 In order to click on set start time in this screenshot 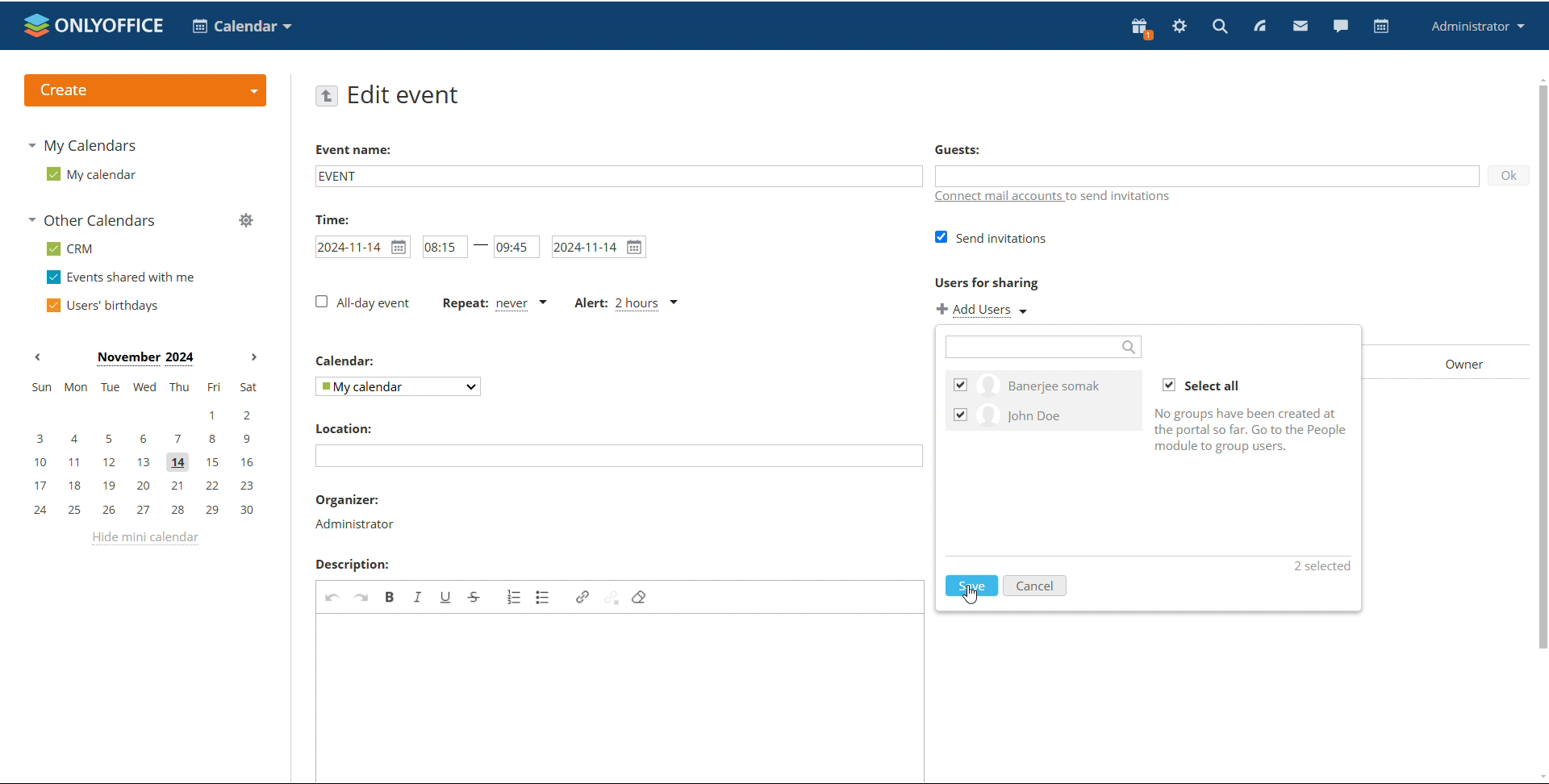, I will do `click(445, 246)`.